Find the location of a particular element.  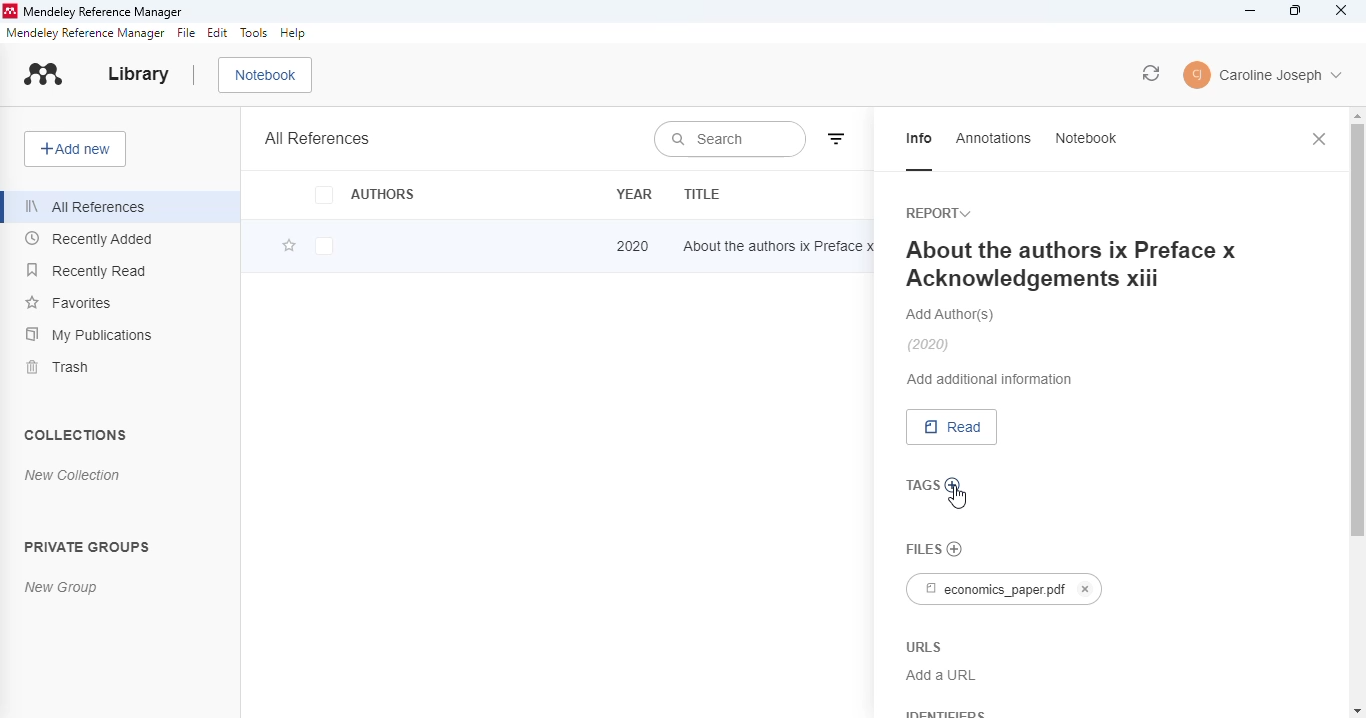

logo is located at coordinates (9, 11).